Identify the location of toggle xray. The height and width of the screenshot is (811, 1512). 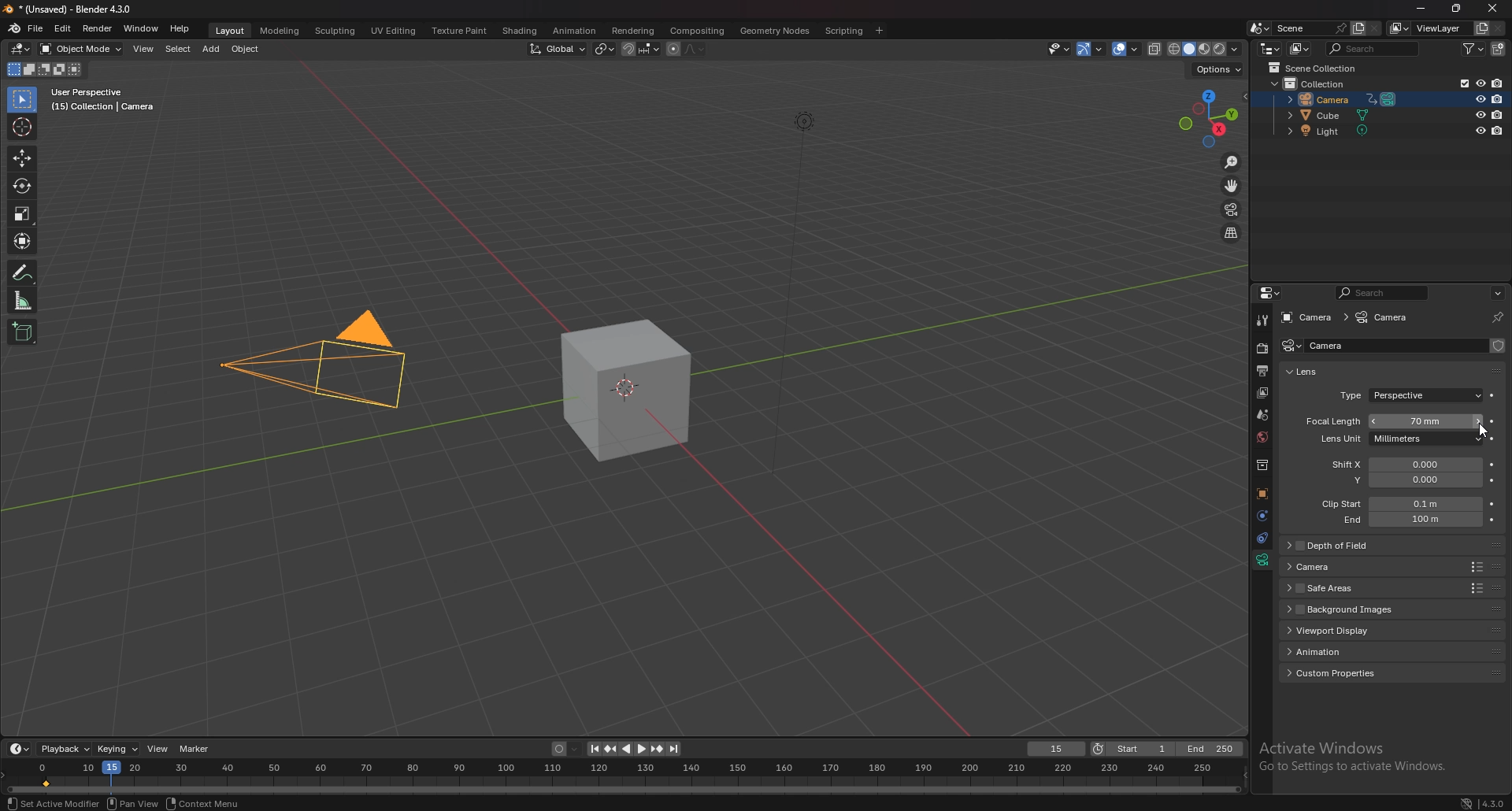
(1155, 49).